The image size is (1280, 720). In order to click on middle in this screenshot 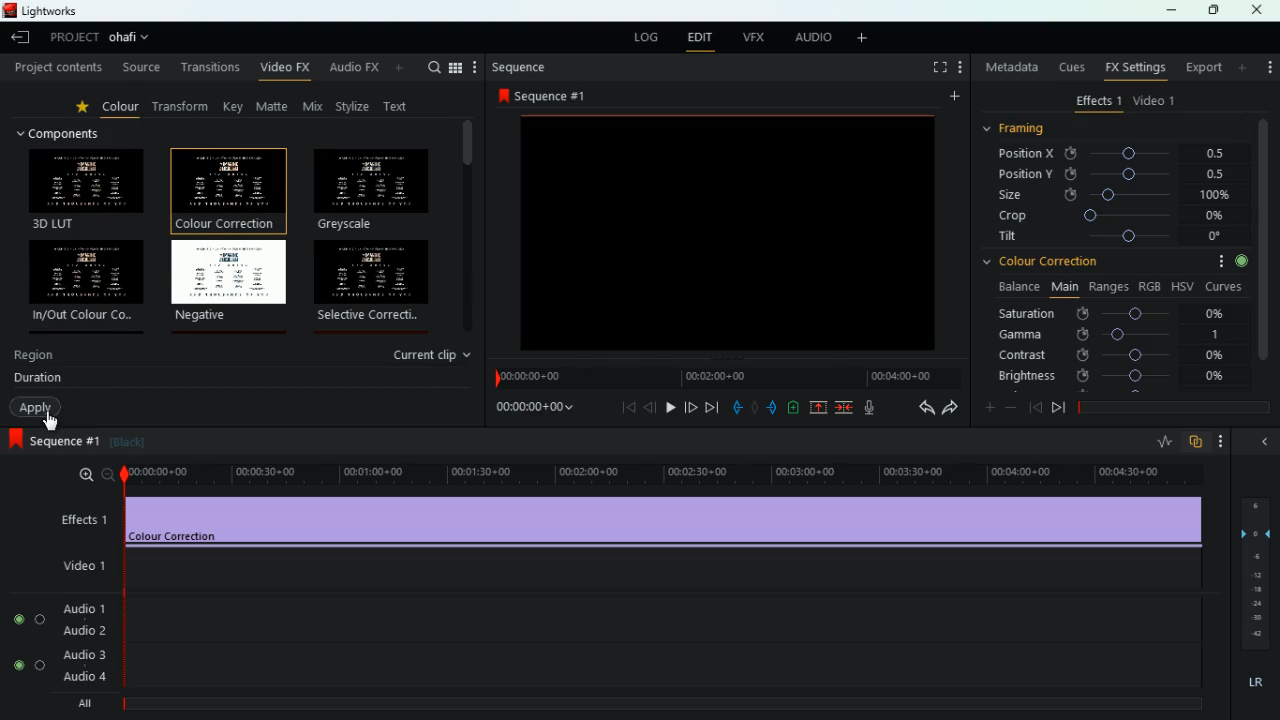, I will do `click(750, 406)`.